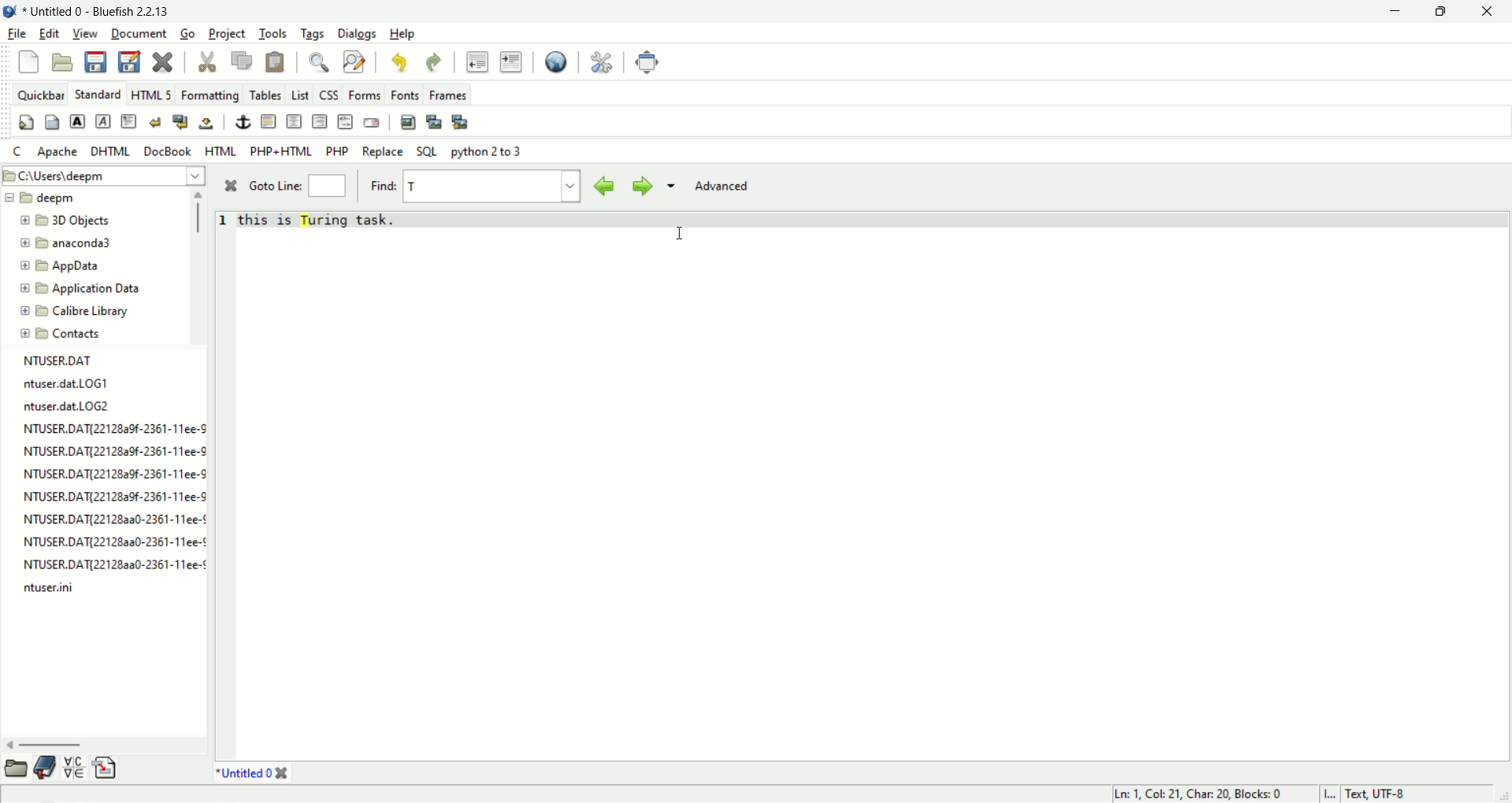 This screenshot has height=803, width=1512. Describe the element at coordinates (346, 121) in the screenshot. I see `html comment` at that location.